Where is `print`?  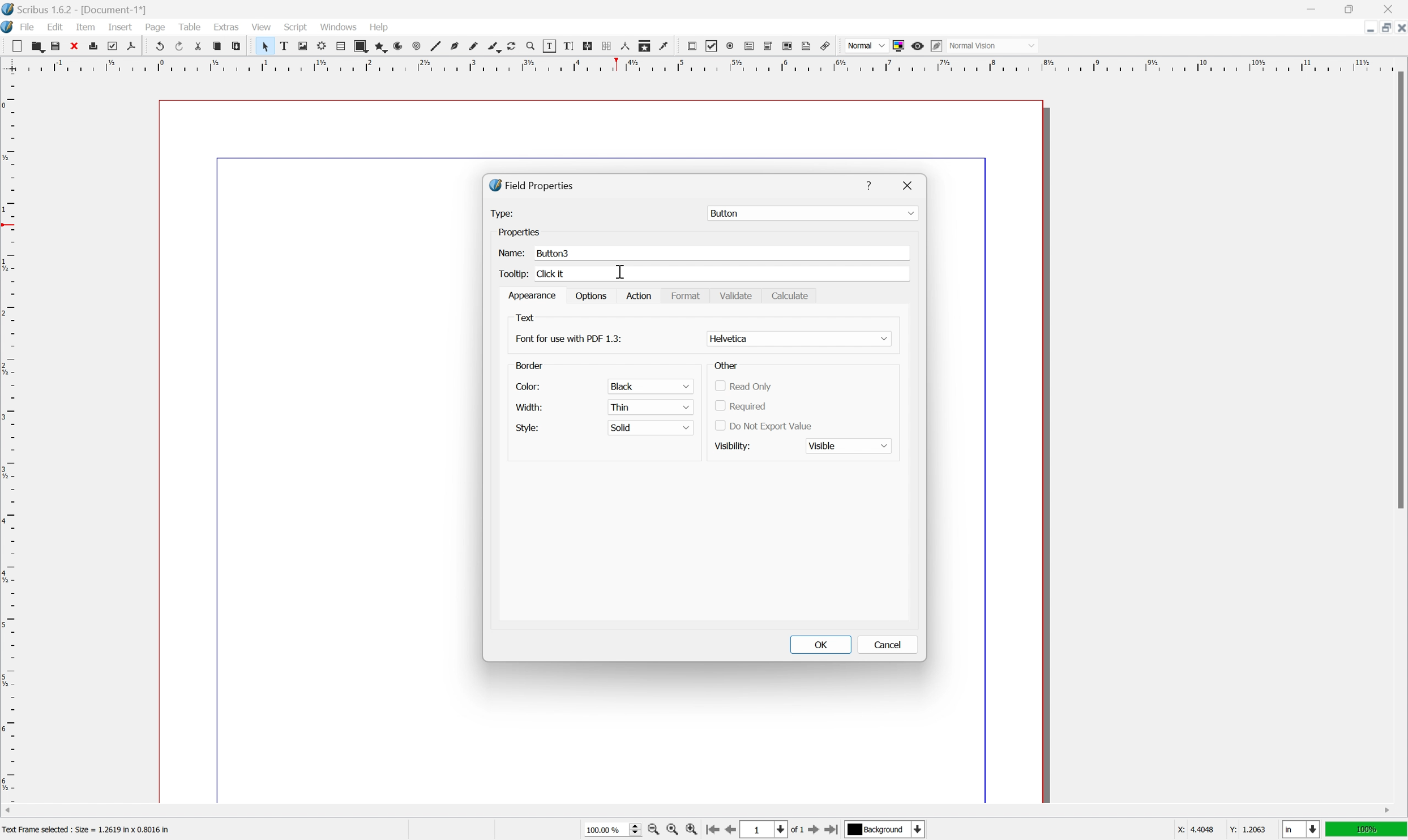
print is located at coordinates (93, 46).